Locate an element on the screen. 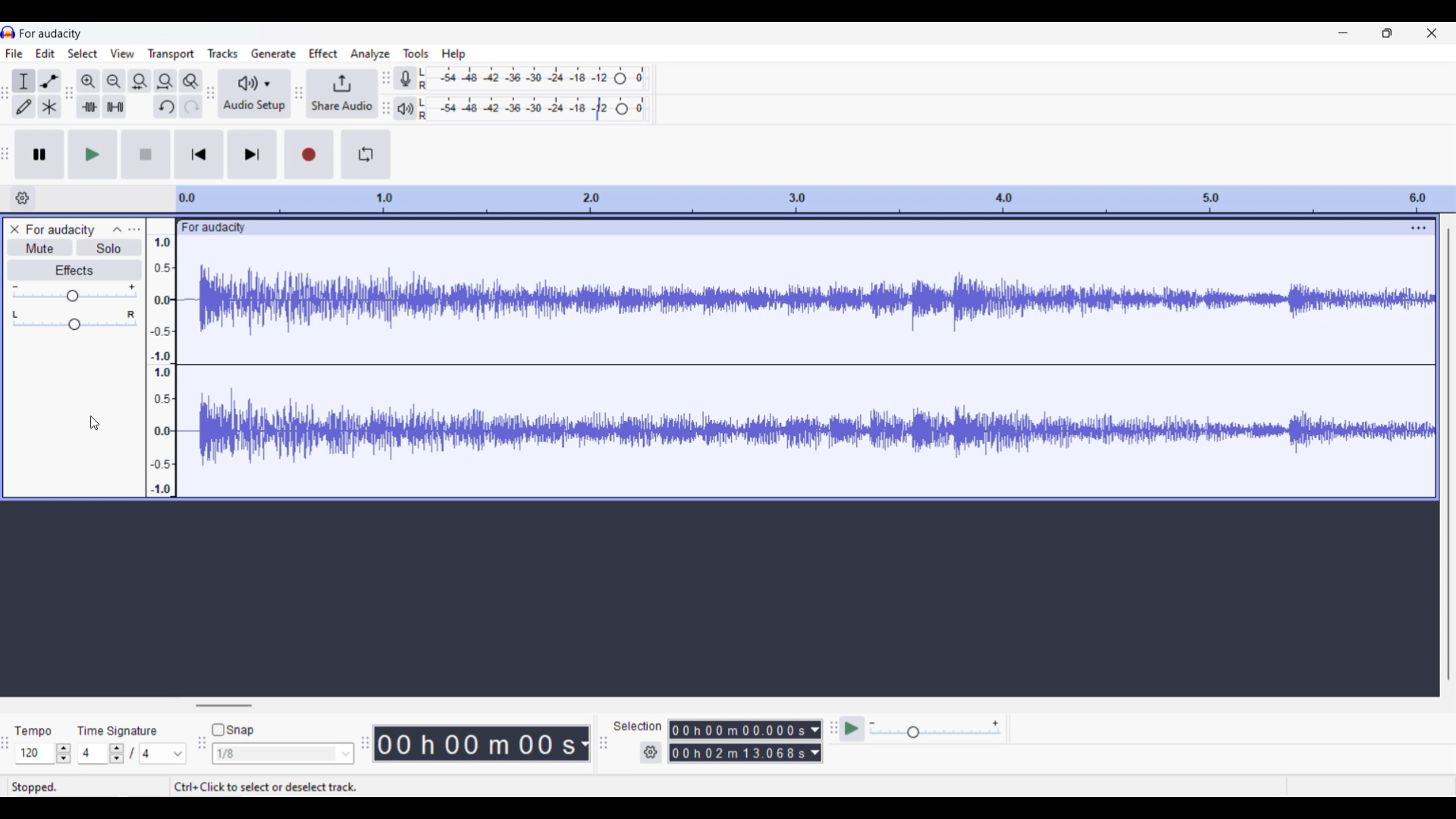 This screenshot has width=1456, height=819. selection is located at coordinates (637, 725).